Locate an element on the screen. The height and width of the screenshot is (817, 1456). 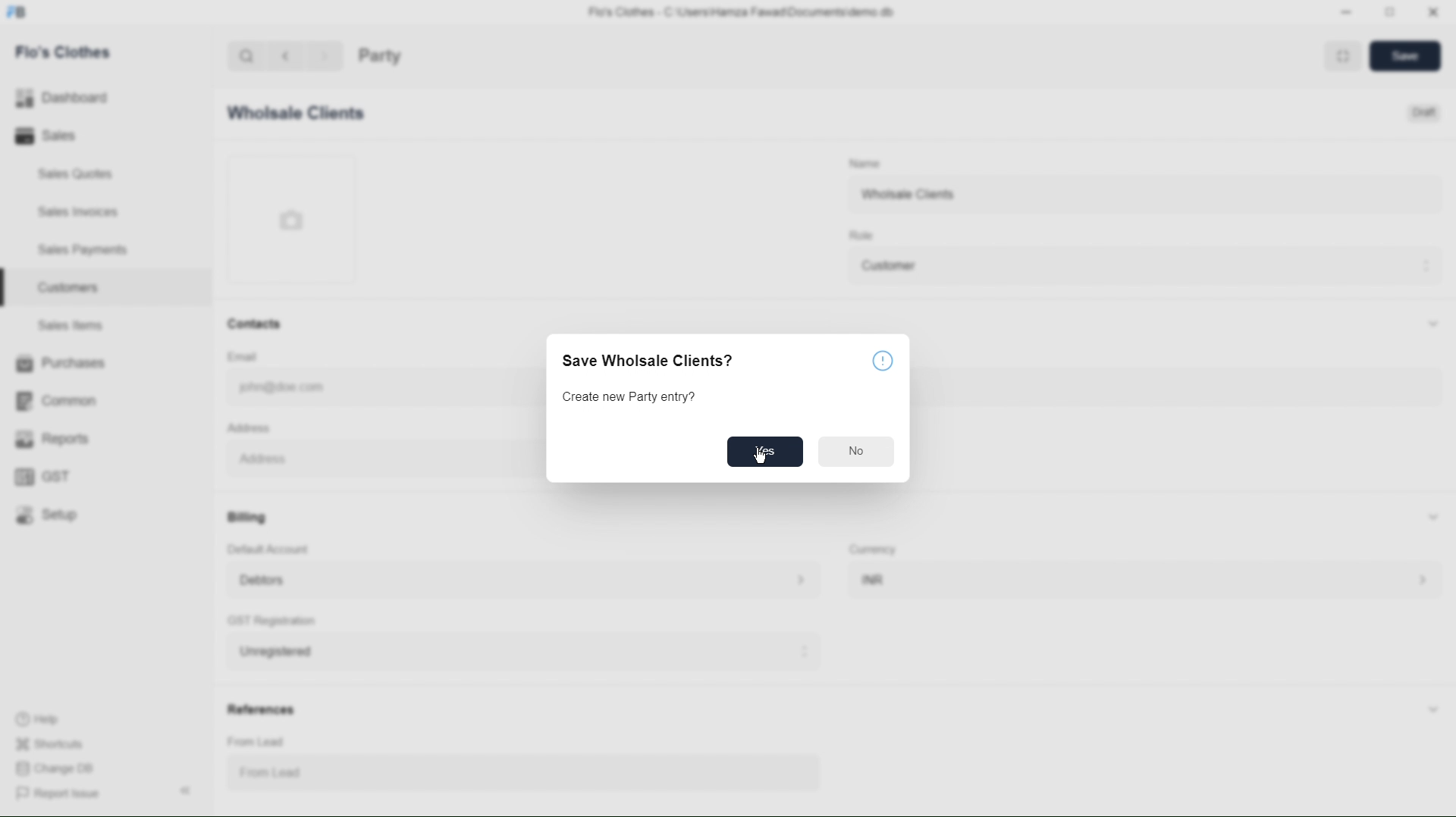
ICON is located at coordinates (877, 364).